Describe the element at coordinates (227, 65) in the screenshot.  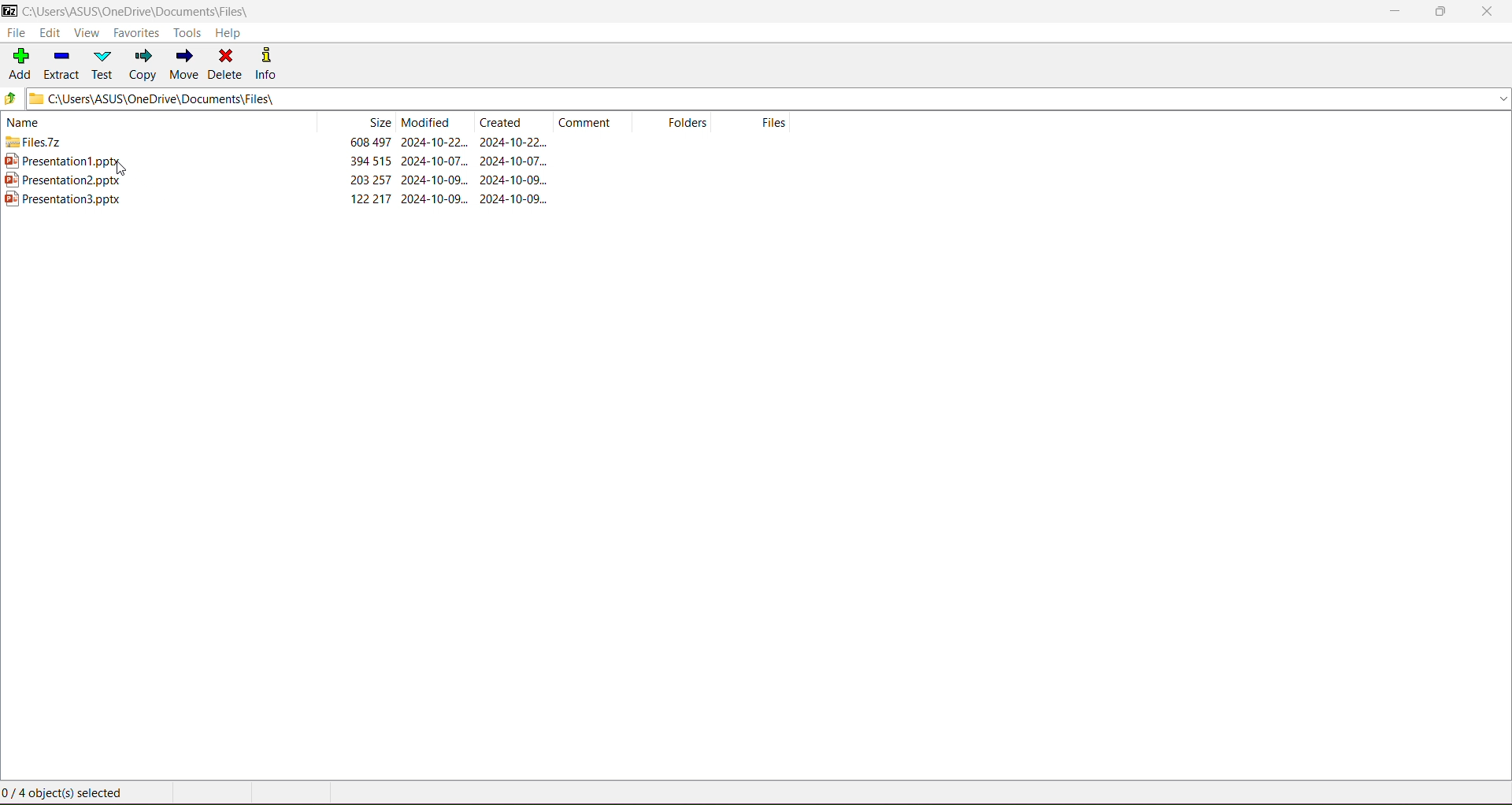
I see `Delete` at that location.